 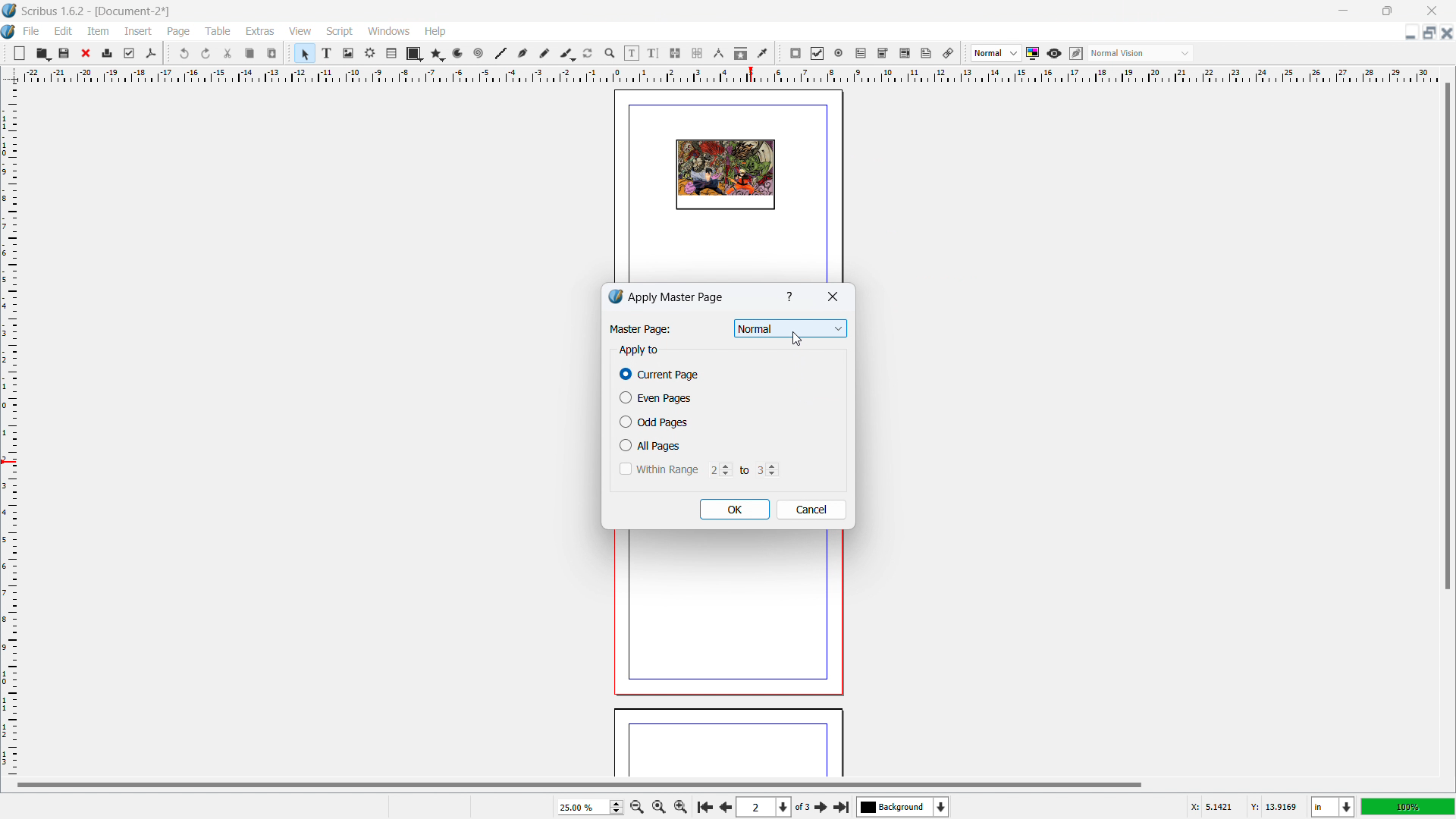 What do you see at coordinates (832, 298) in the screenshot?
I see `close` at bounding box center [832, 298].